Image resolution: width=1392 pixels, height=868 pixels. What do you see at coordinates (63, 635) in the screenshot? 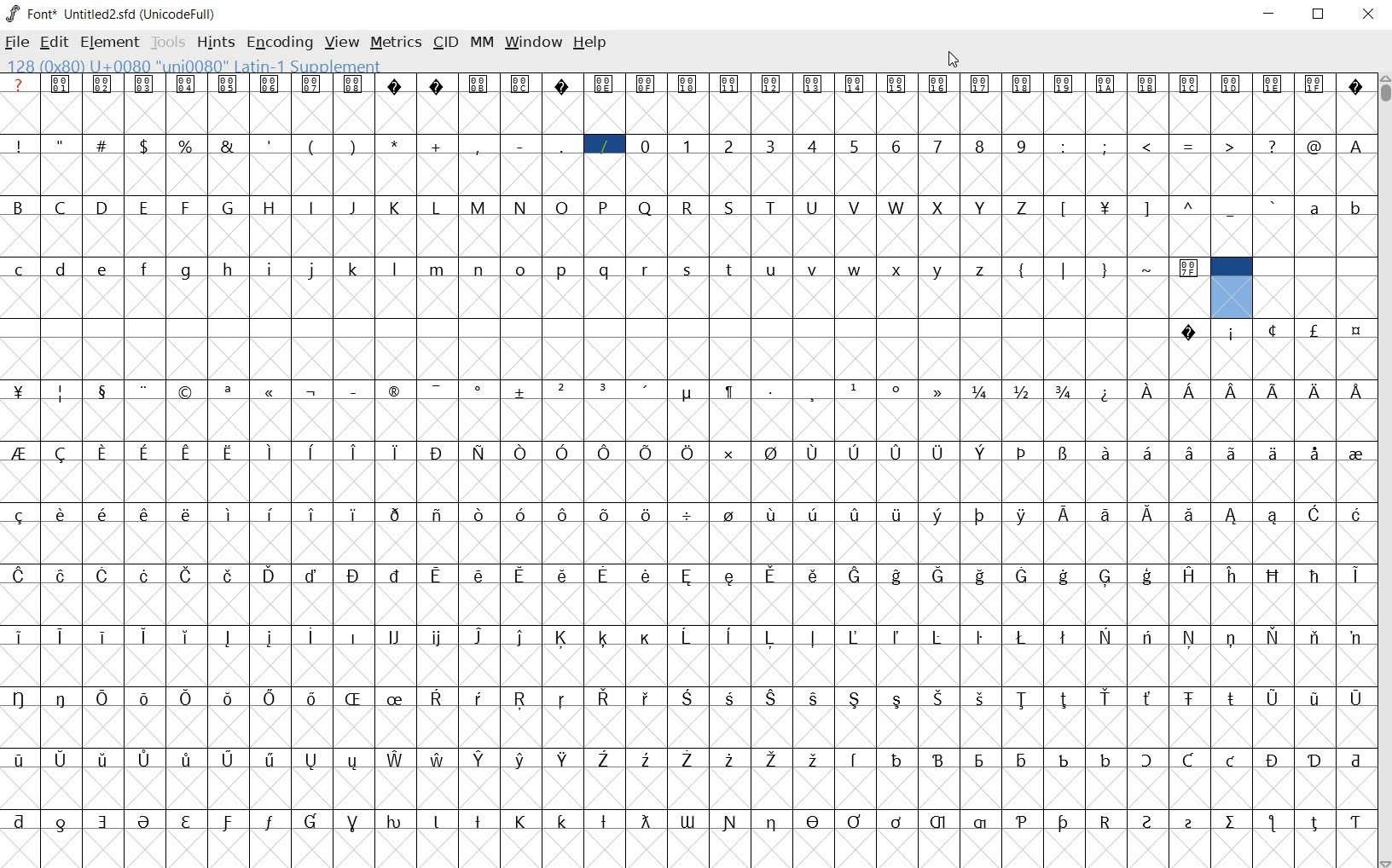
I see `Symbol` at bounding box center [63, 635].